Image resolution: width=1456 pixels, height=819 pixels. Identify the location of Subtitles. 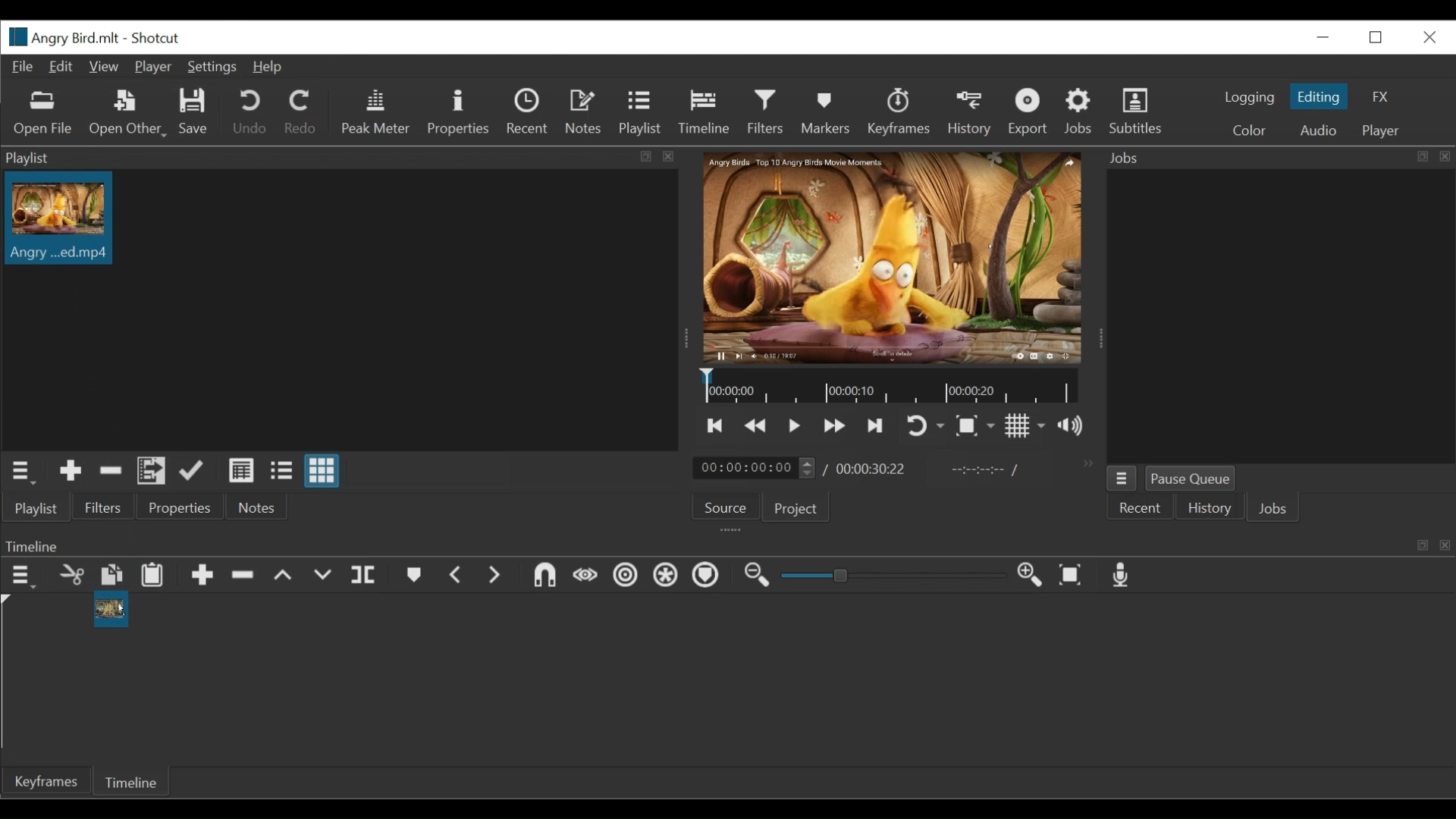
(1141, 110).